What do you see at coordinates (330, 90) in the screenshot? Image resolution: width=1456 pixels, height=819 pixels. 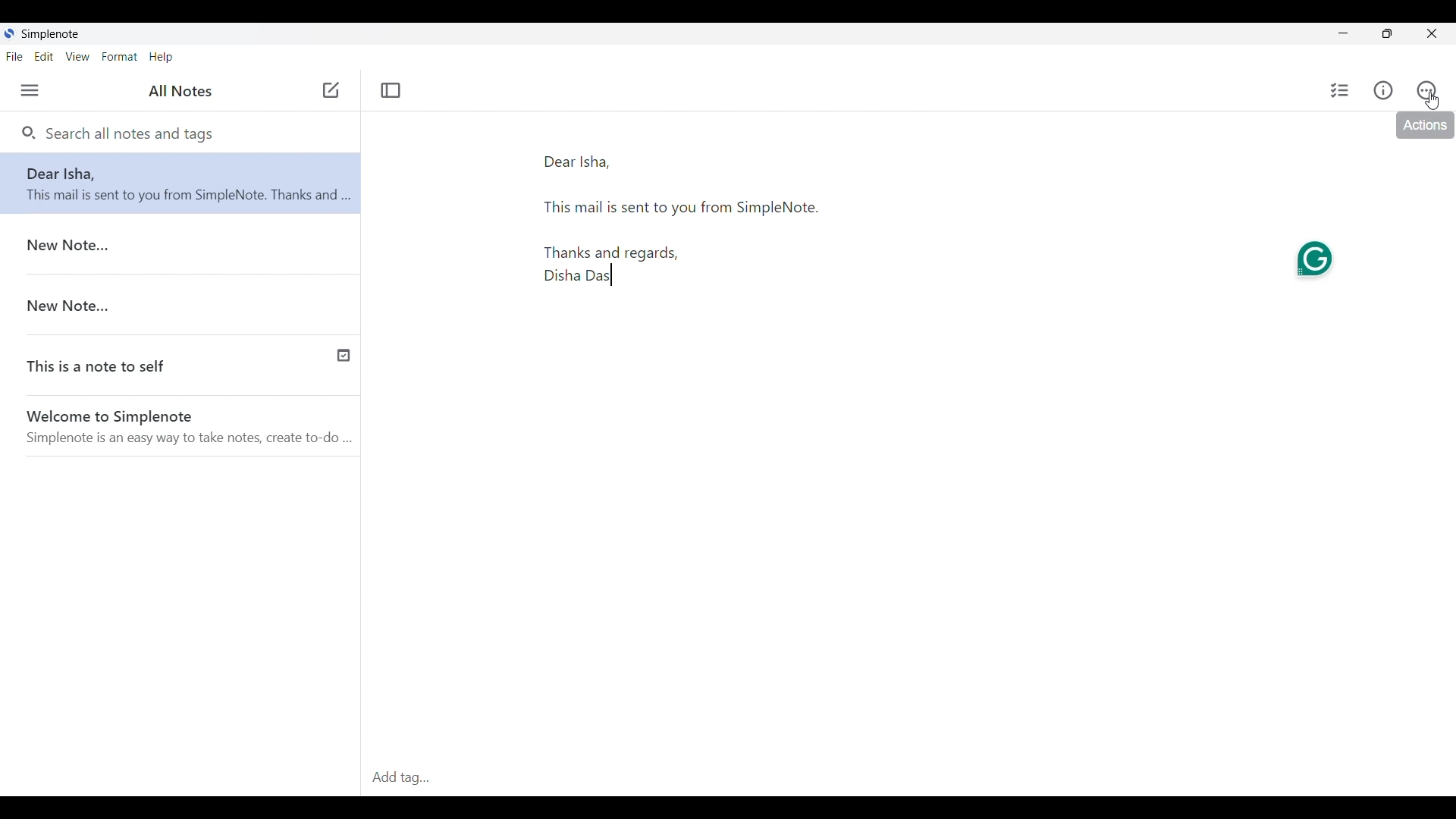 I see `Click to add new note` at bounding box center [330, 90].